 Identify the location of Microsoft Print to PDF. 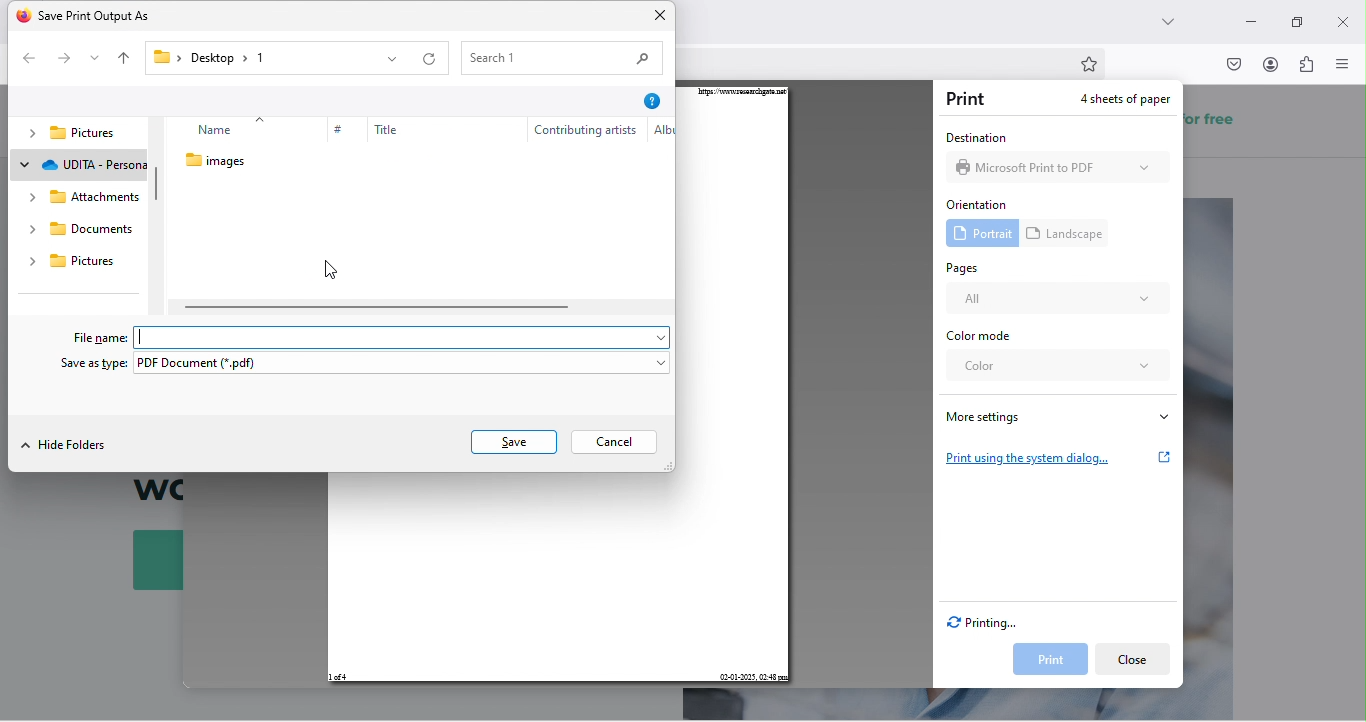
(1052, 168).